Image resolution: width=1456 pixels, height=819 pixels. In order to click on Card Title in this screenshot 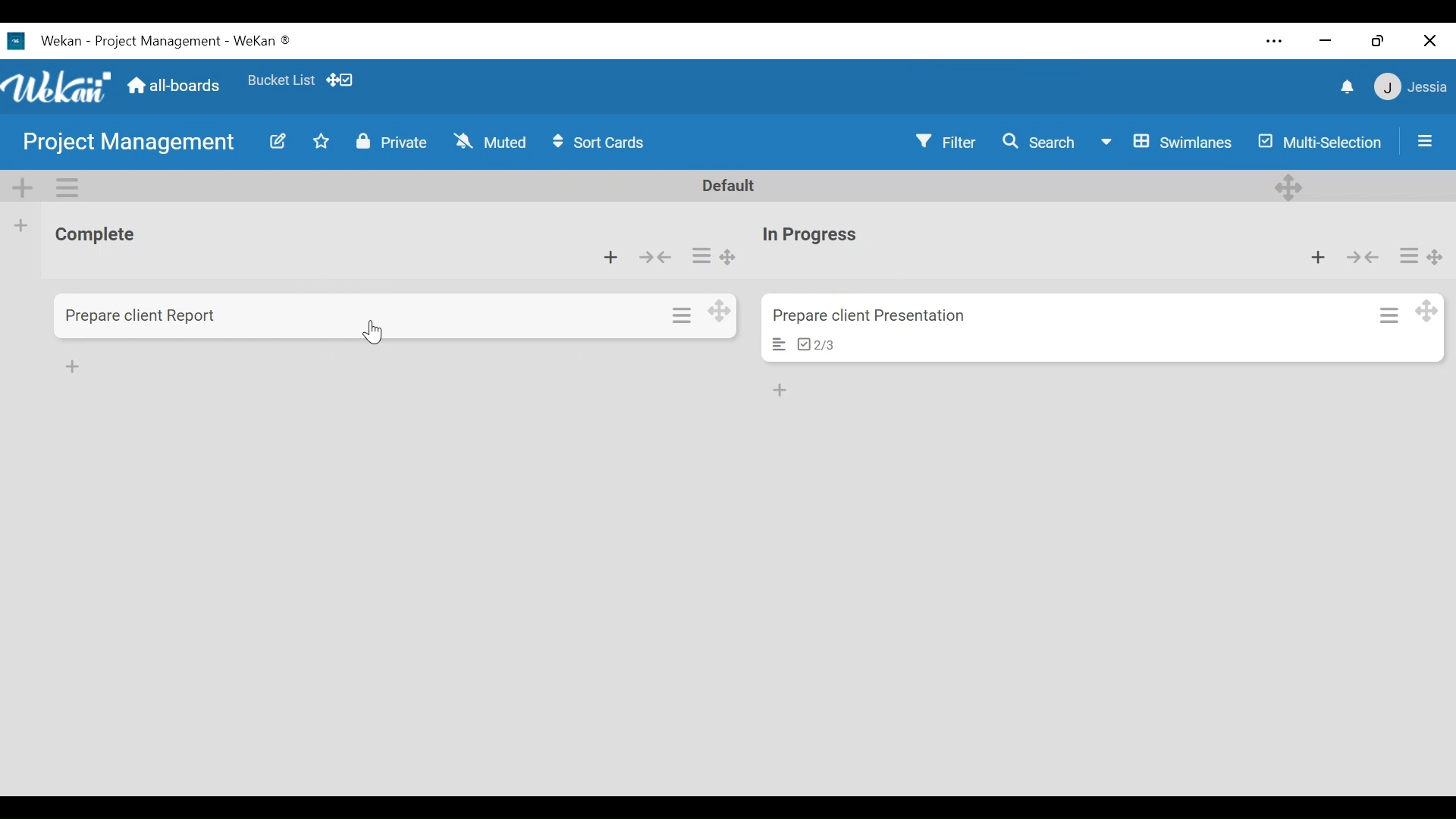, I will do `click(868, 317)`.